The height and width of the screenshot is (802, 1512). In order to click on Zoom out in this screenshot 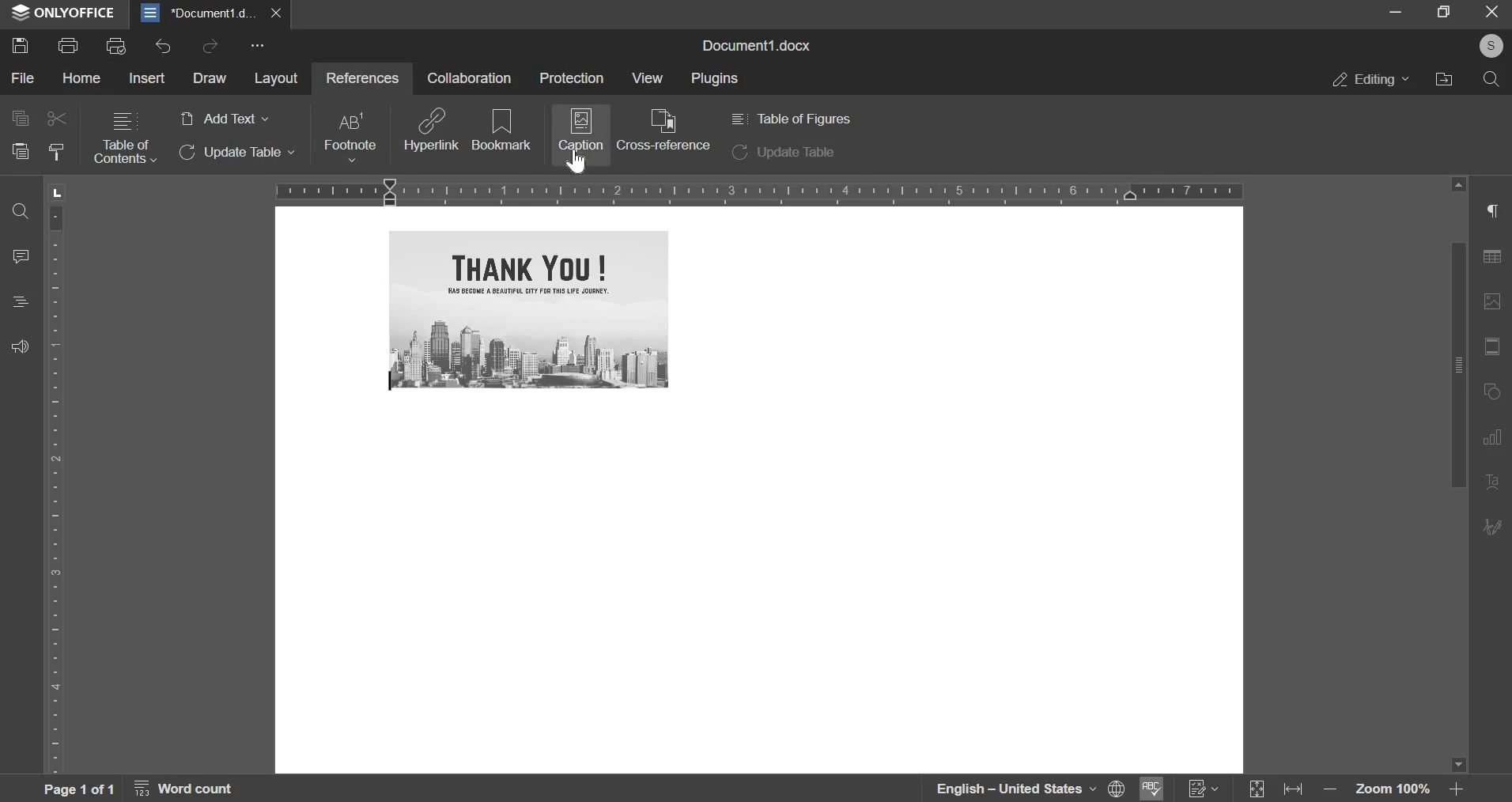, I will do `click(1334, 793)`.